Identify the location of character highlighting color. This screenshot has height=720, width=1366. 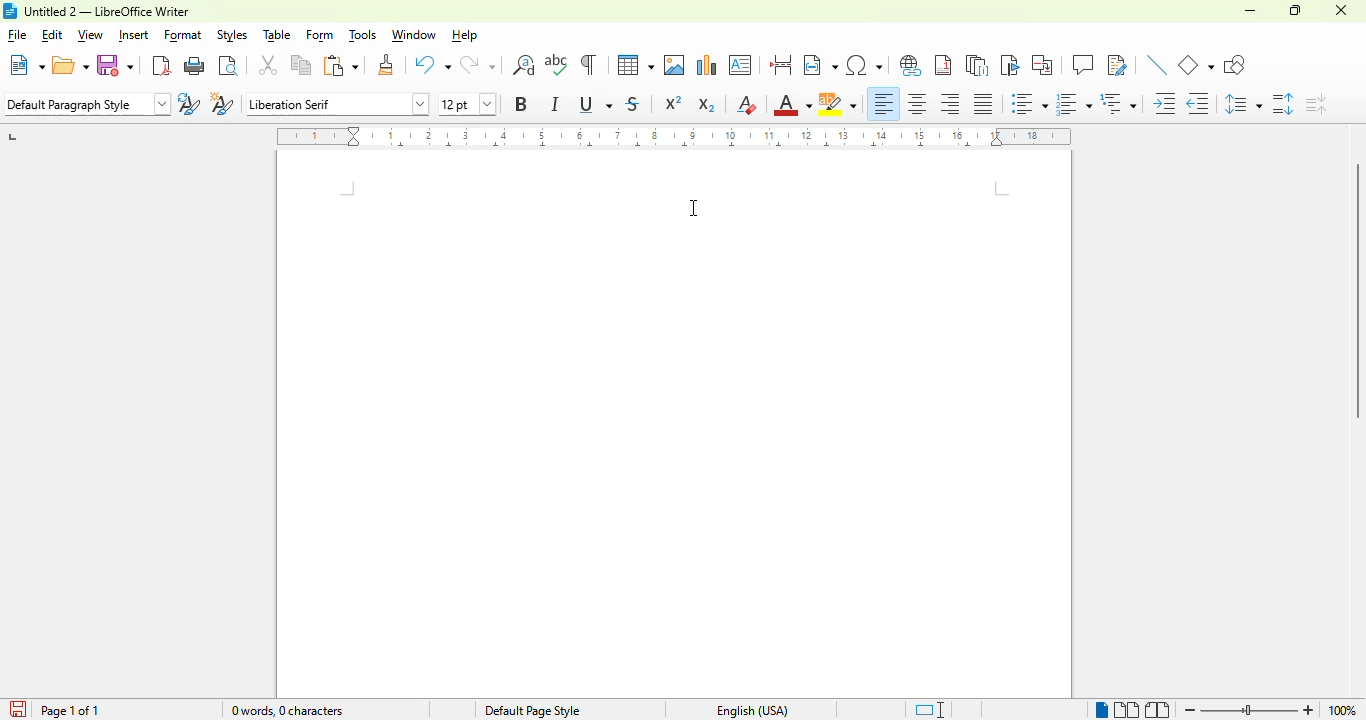
(838, 106).